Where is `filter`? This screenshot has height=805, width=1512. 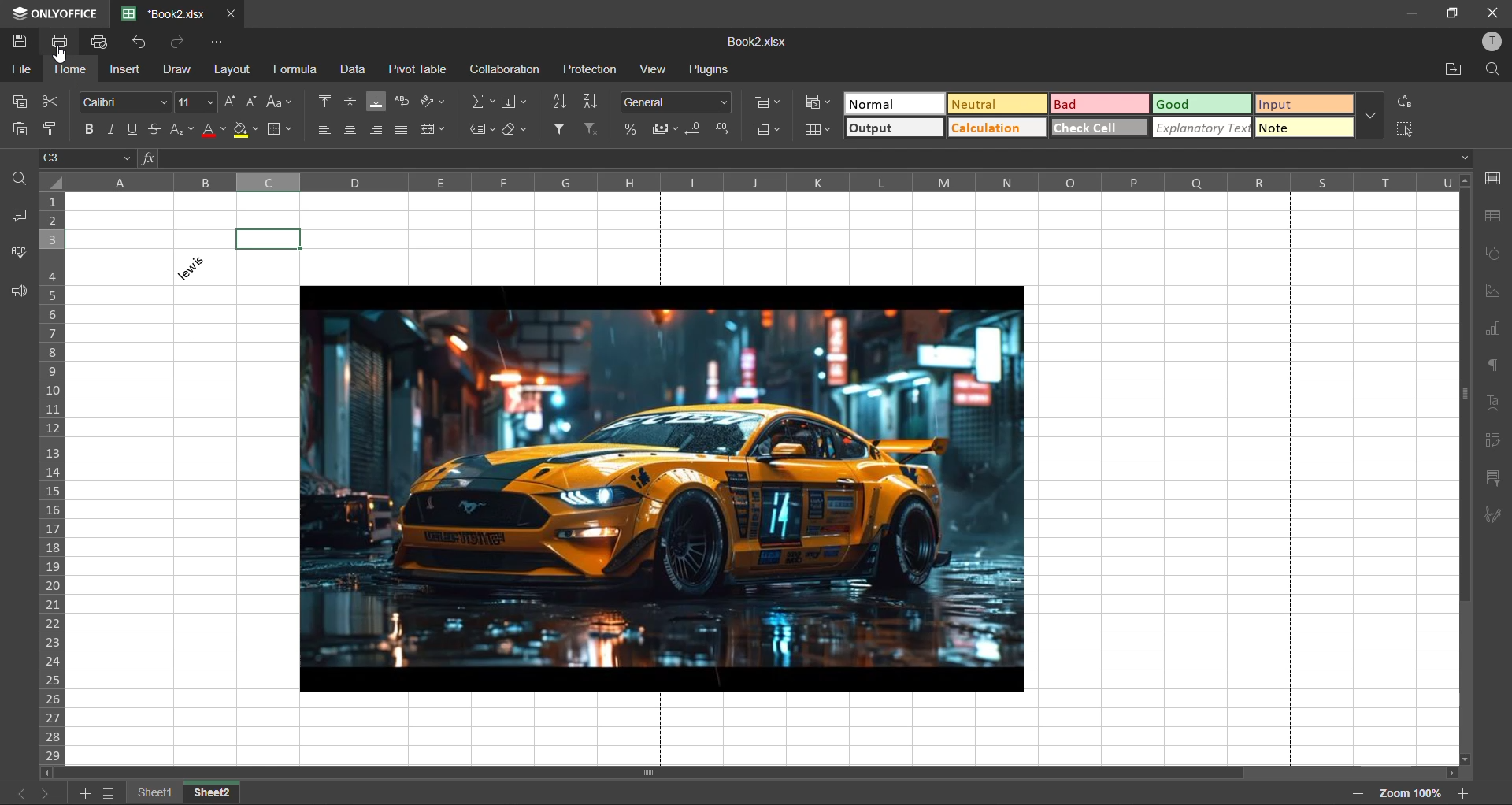
filter is located at coordinates (561, 129).